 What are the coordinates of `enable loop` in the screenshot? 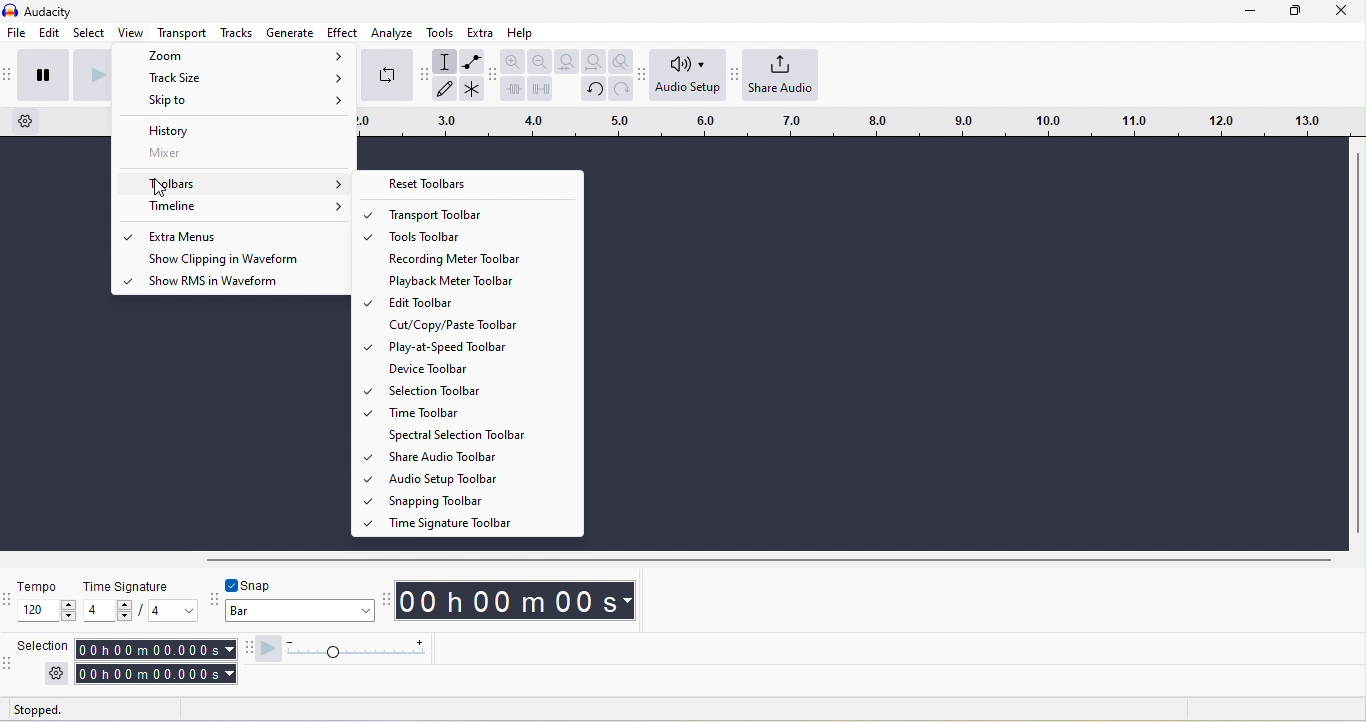 It's located at (387, 76).